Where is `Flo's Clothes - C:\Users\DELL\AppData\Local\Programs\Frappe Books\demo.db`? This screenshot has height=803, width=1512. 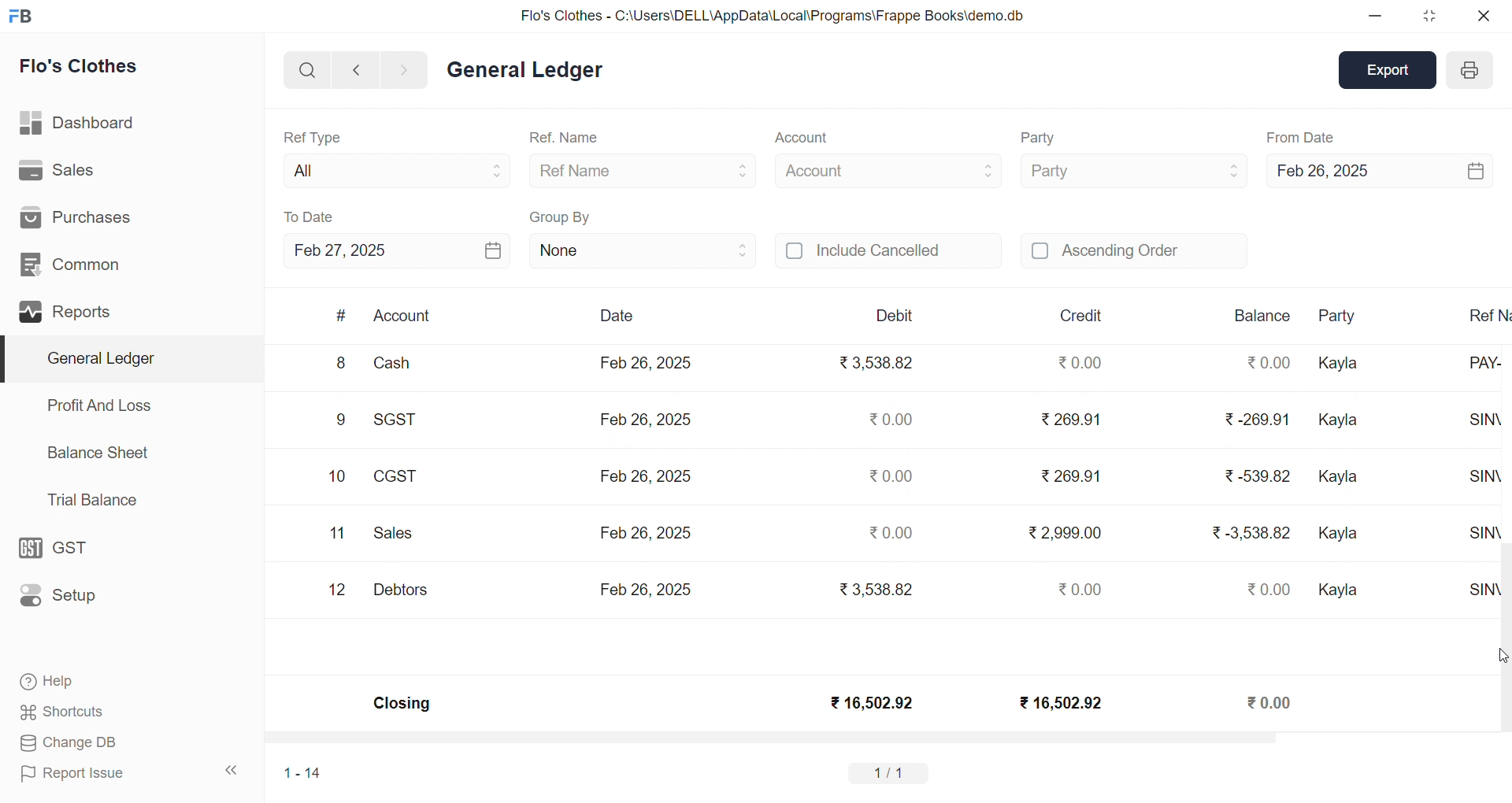 Flo's Clothes - C:\Users\DELL\AppData\Local\Programs\Frappe Books\demo.db is located at coordinates (771, 14).